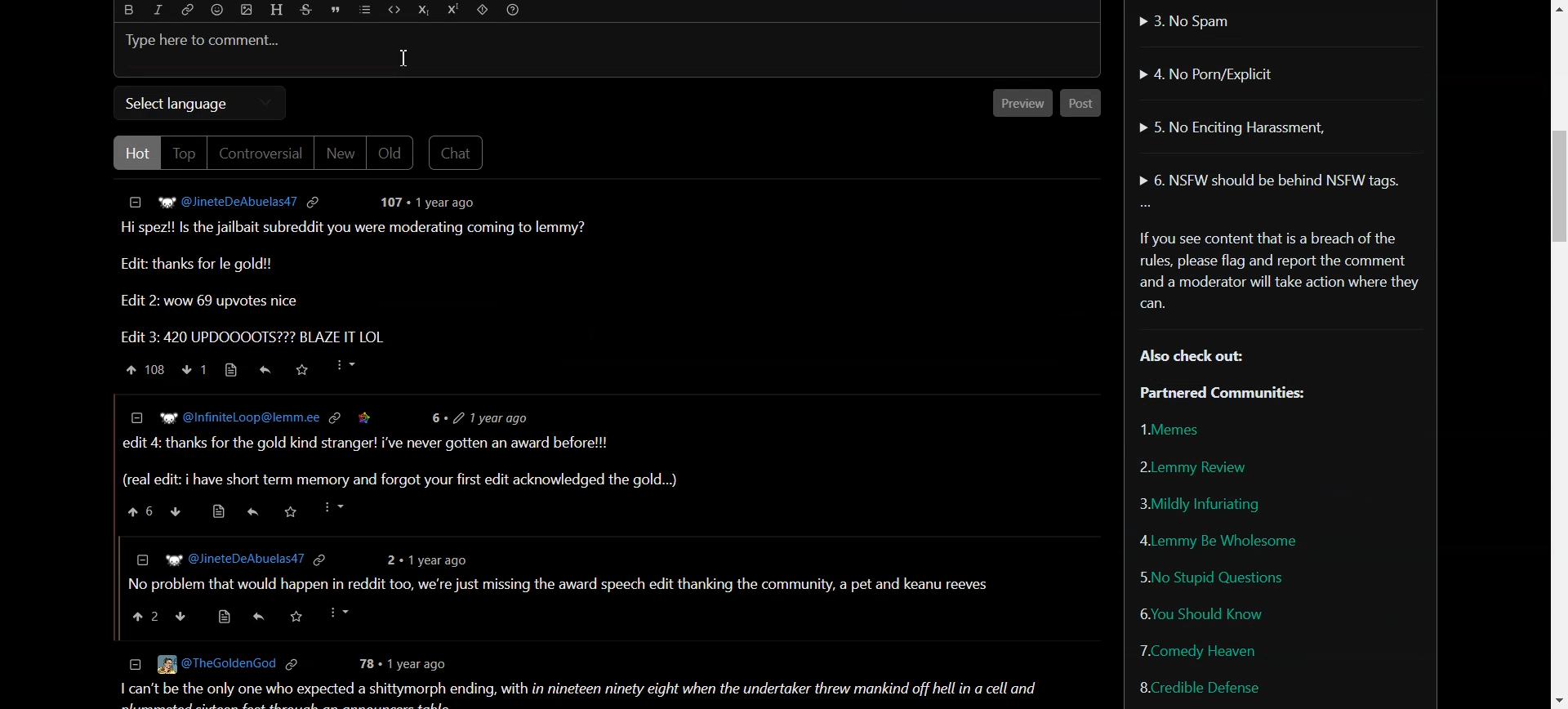  Describe the element at coordinates (1209, 578) in the screenshot. I see `No Stupid Questions` at that location.